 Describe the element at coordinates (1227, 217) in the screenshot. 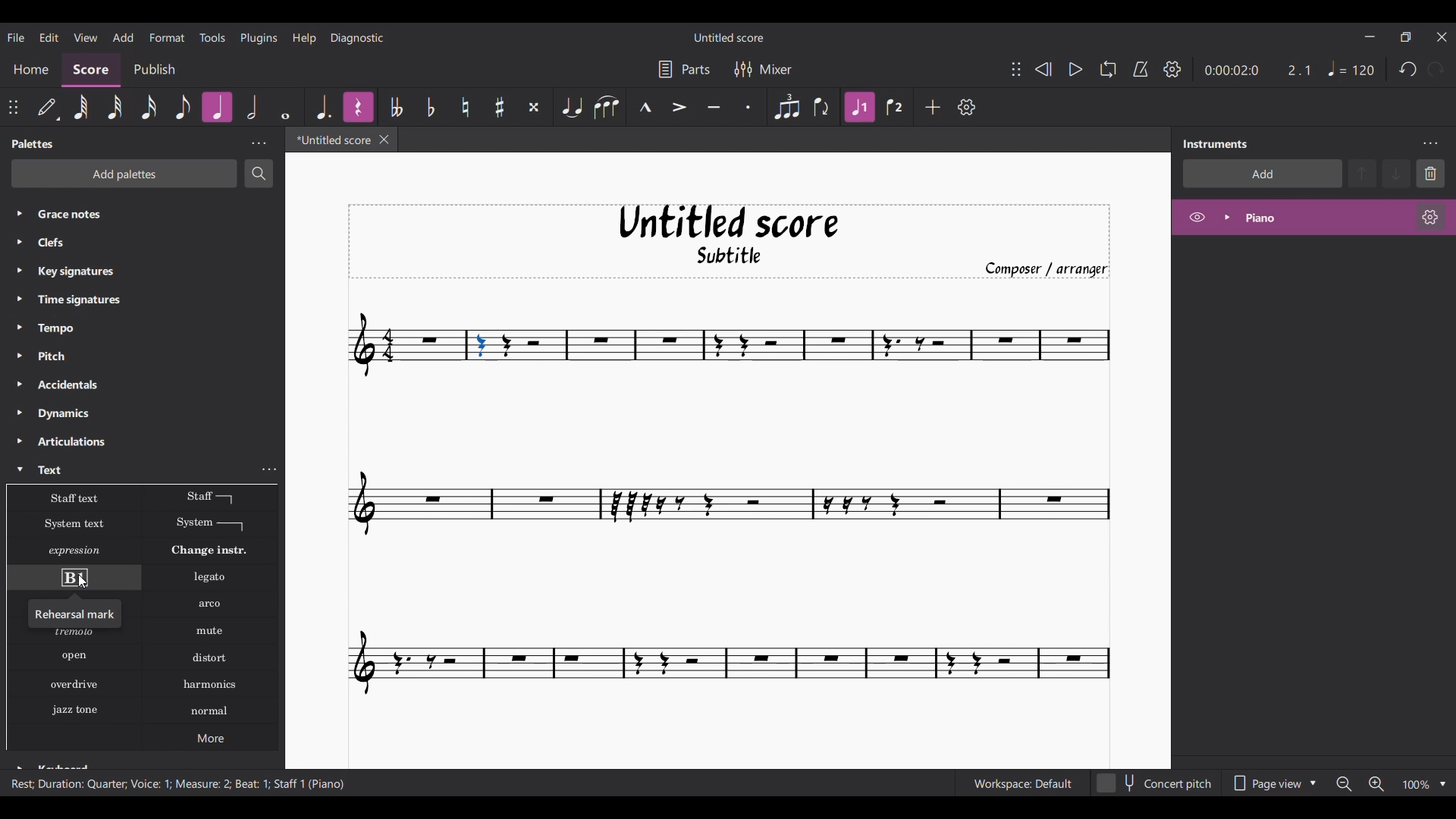

I see `Expand piano` at that location.